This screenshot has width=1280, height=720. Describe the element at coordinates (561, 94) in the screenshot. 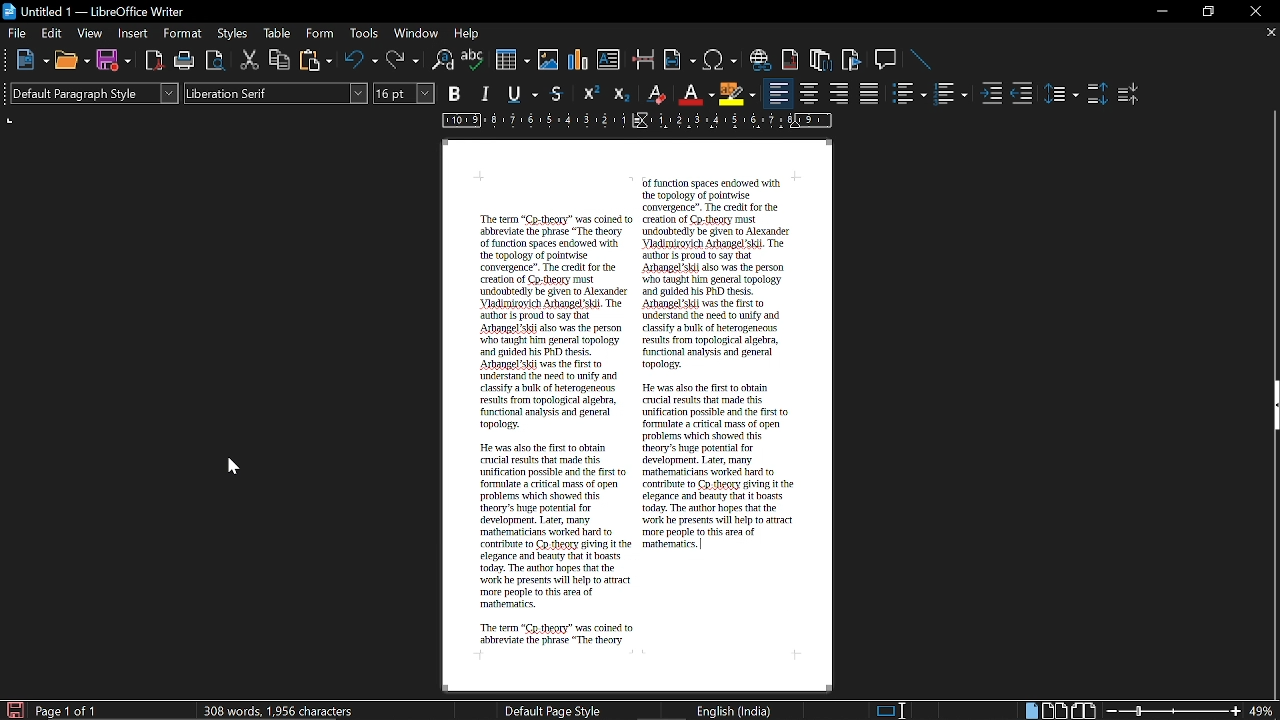

I see `Strikethrough` at that location.